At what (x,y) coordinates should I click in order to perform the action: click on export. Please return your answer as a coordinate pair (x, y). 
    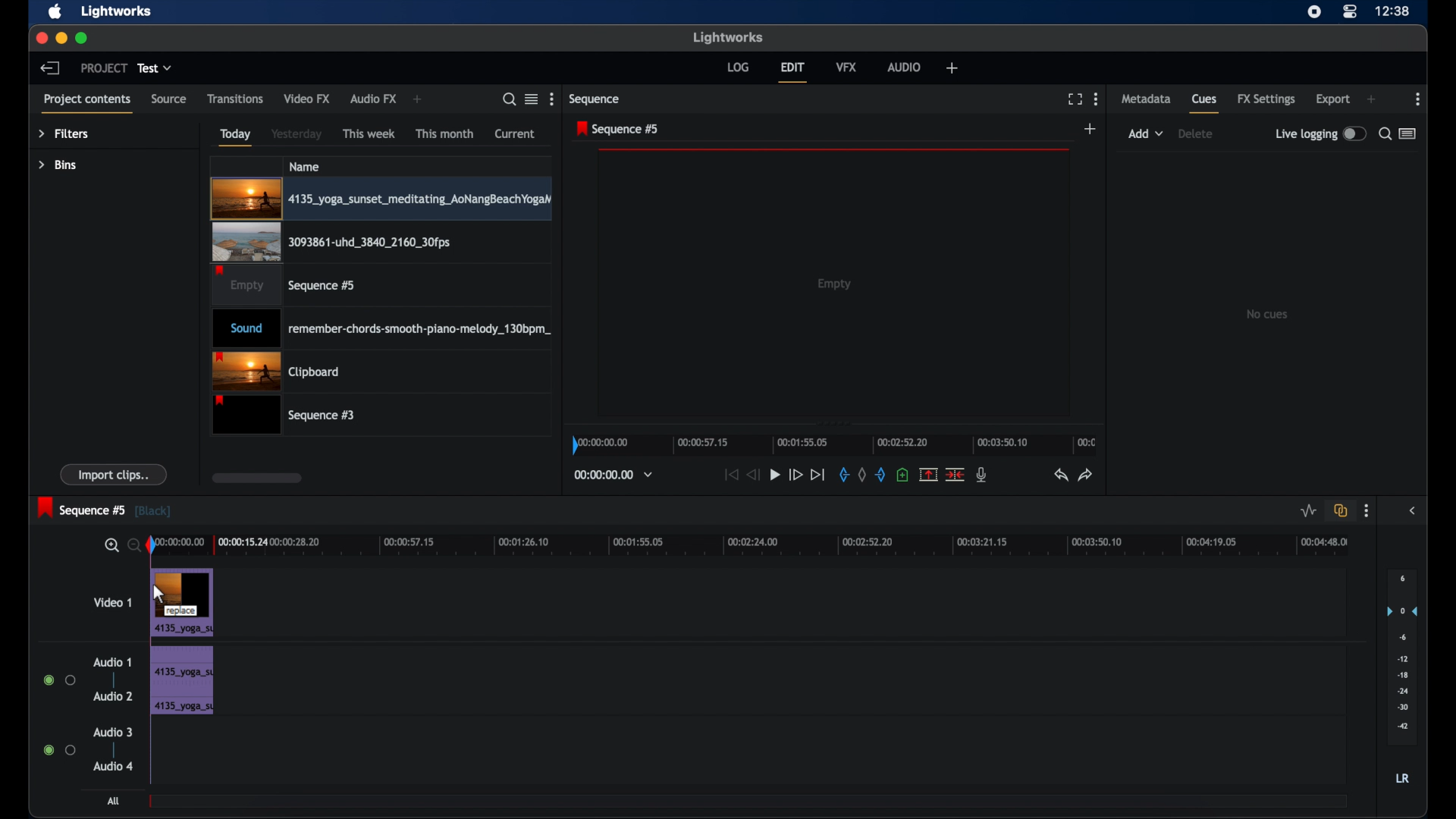
    Looking at the image, I should click on (1334, 99).